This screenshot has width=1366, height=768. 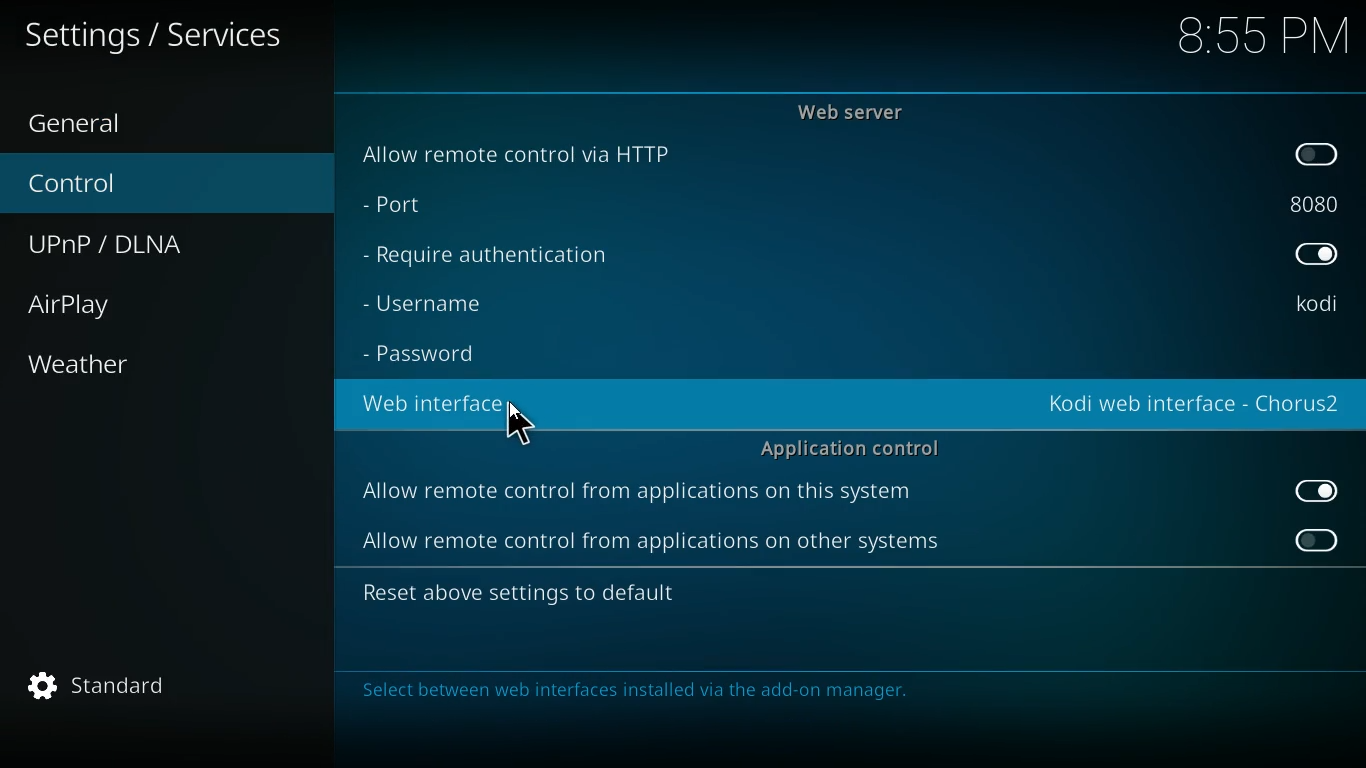 What do you see at coordinates (157, 36) in the screenshot?
I see `Settings / Services` at bounding box center [157, 36].